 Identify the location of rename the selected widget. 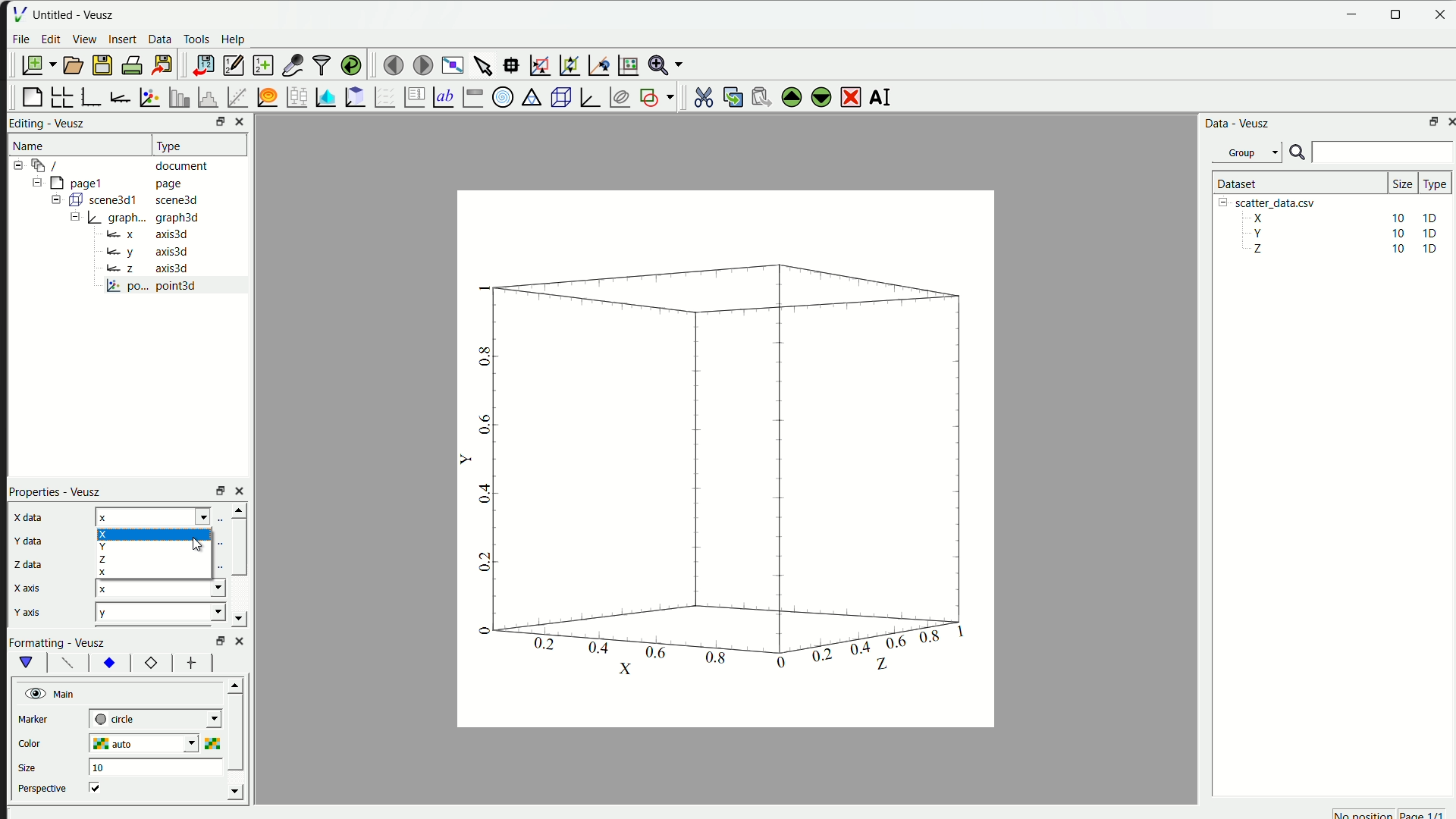
(880, 96).